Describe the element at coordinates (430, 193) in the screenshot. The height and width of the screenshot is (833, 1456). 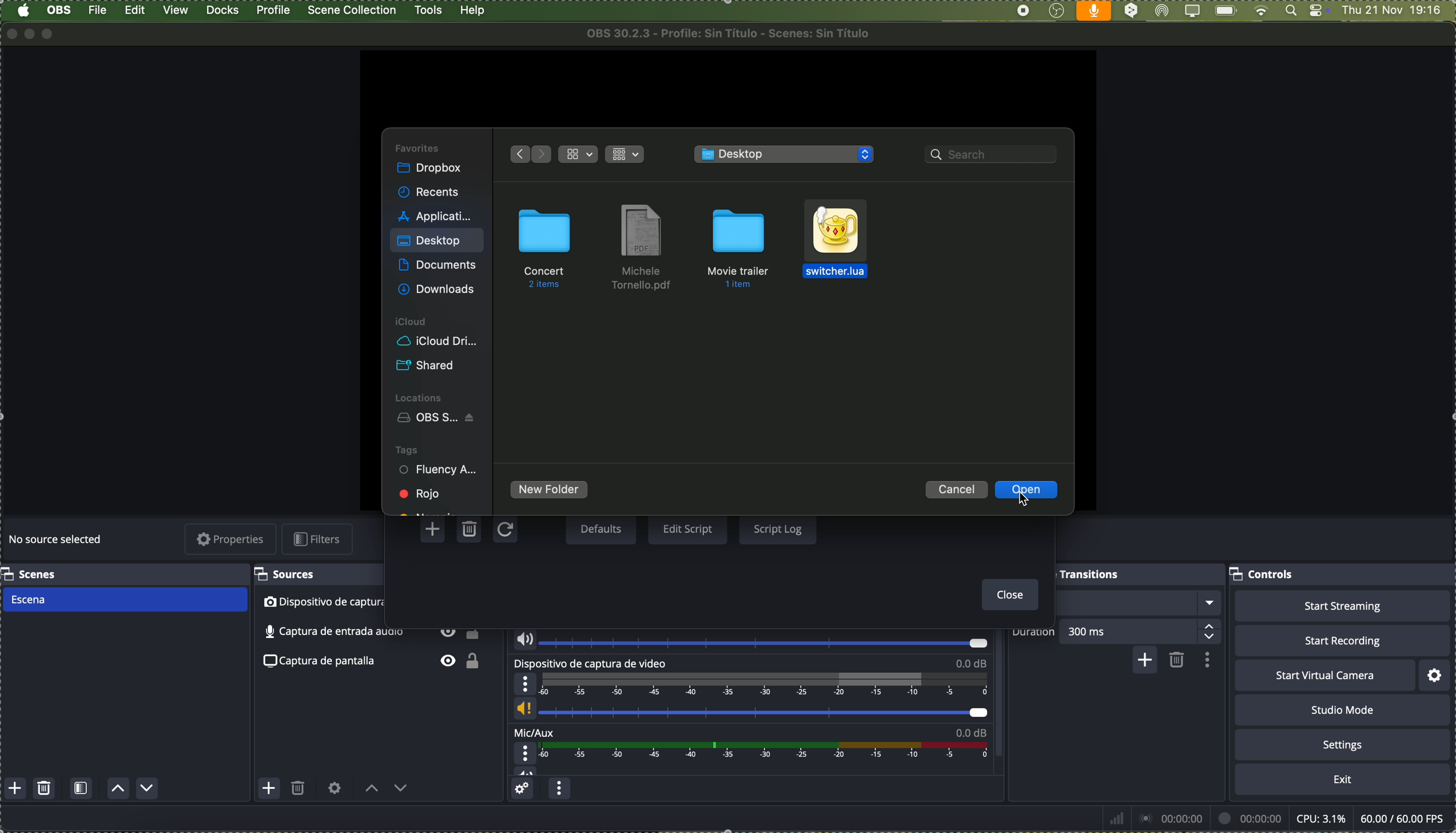
I see `recents` at that location.